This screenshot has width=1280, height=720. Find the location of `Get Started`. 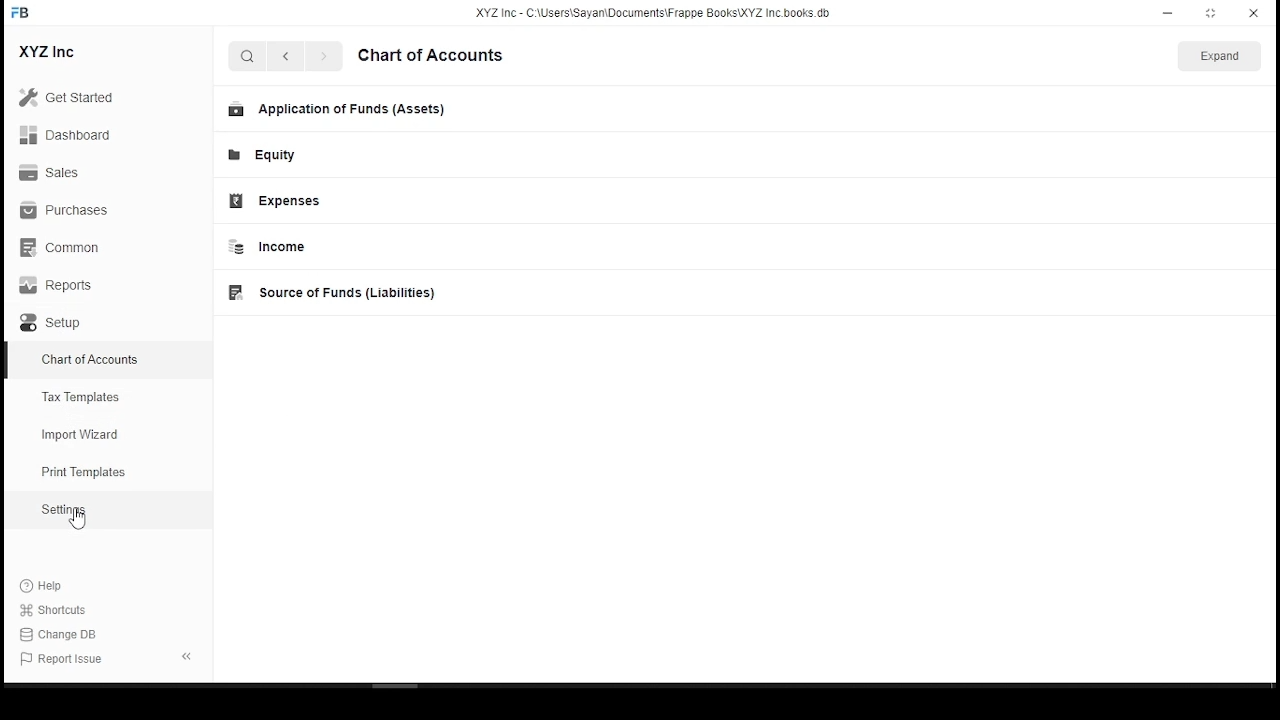

Get Started is located at coordinates (73, 97).